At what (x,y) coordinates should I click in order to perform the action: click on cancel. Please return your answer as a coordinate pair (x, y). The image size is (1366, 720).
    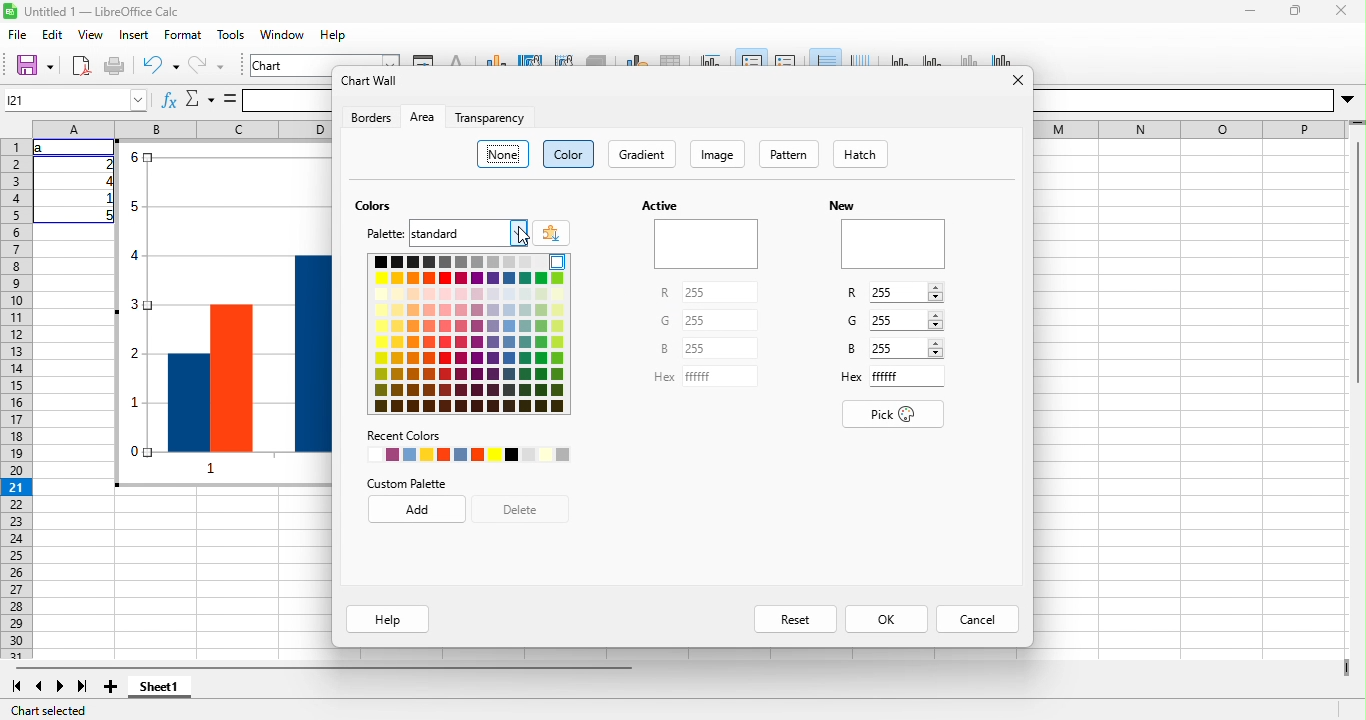
    Looking at the image, I should click on (977, 619).